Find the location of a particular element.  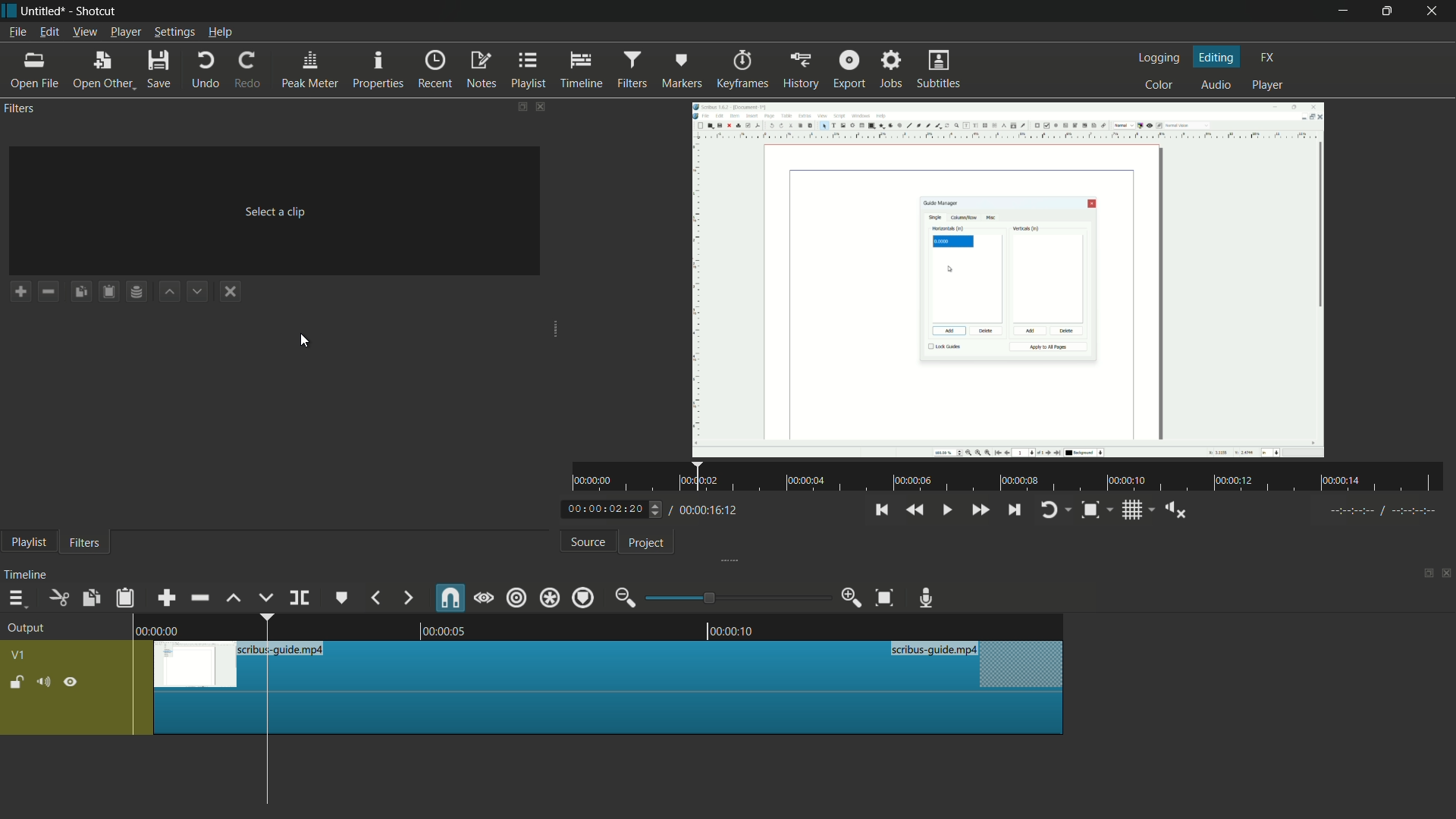

snap is located at coordinates (450, 598).